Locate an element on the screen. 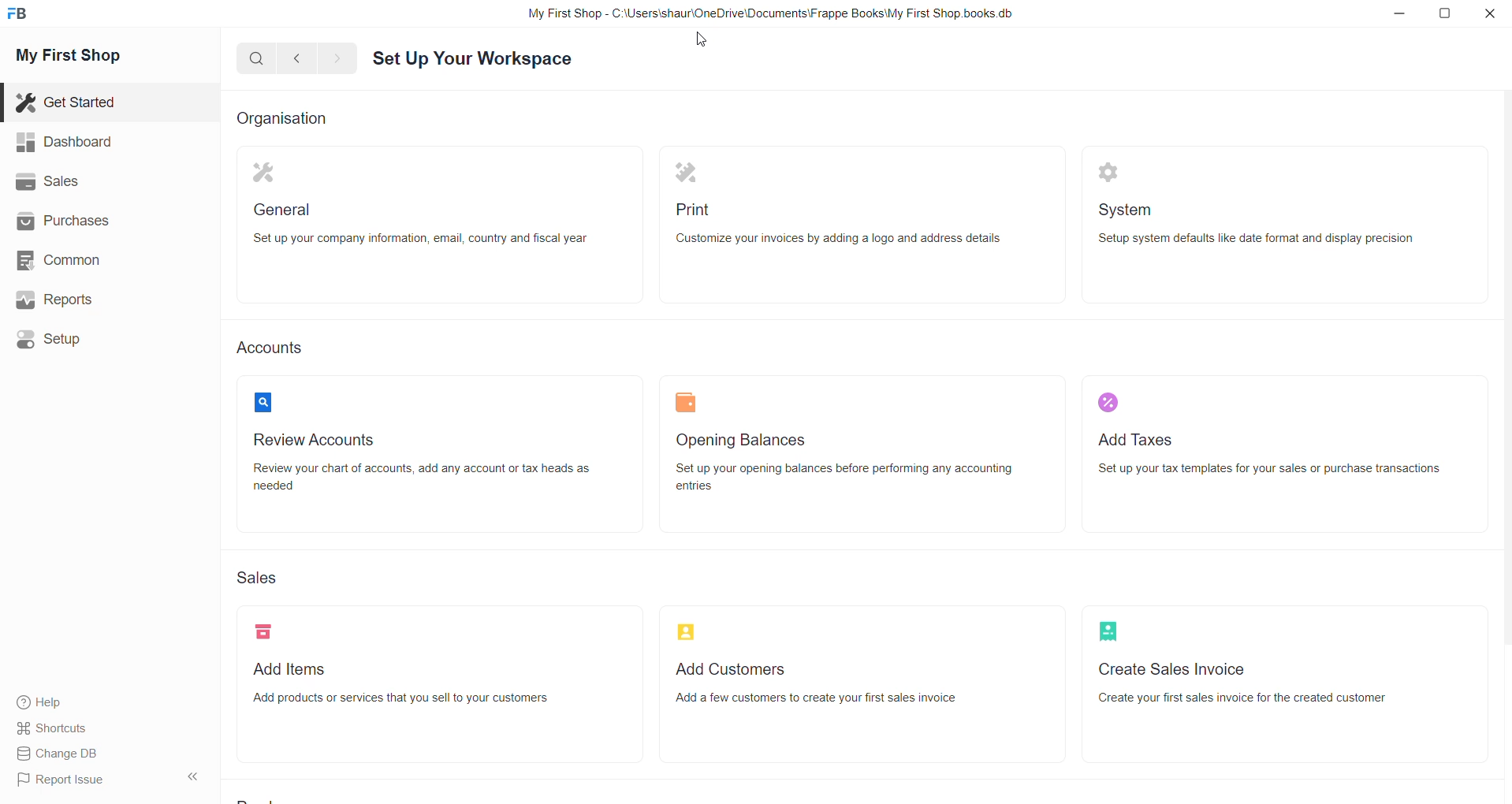 This screenshot has height=804, width=1512. Add Taxes is located at coordinates (1276, 445).